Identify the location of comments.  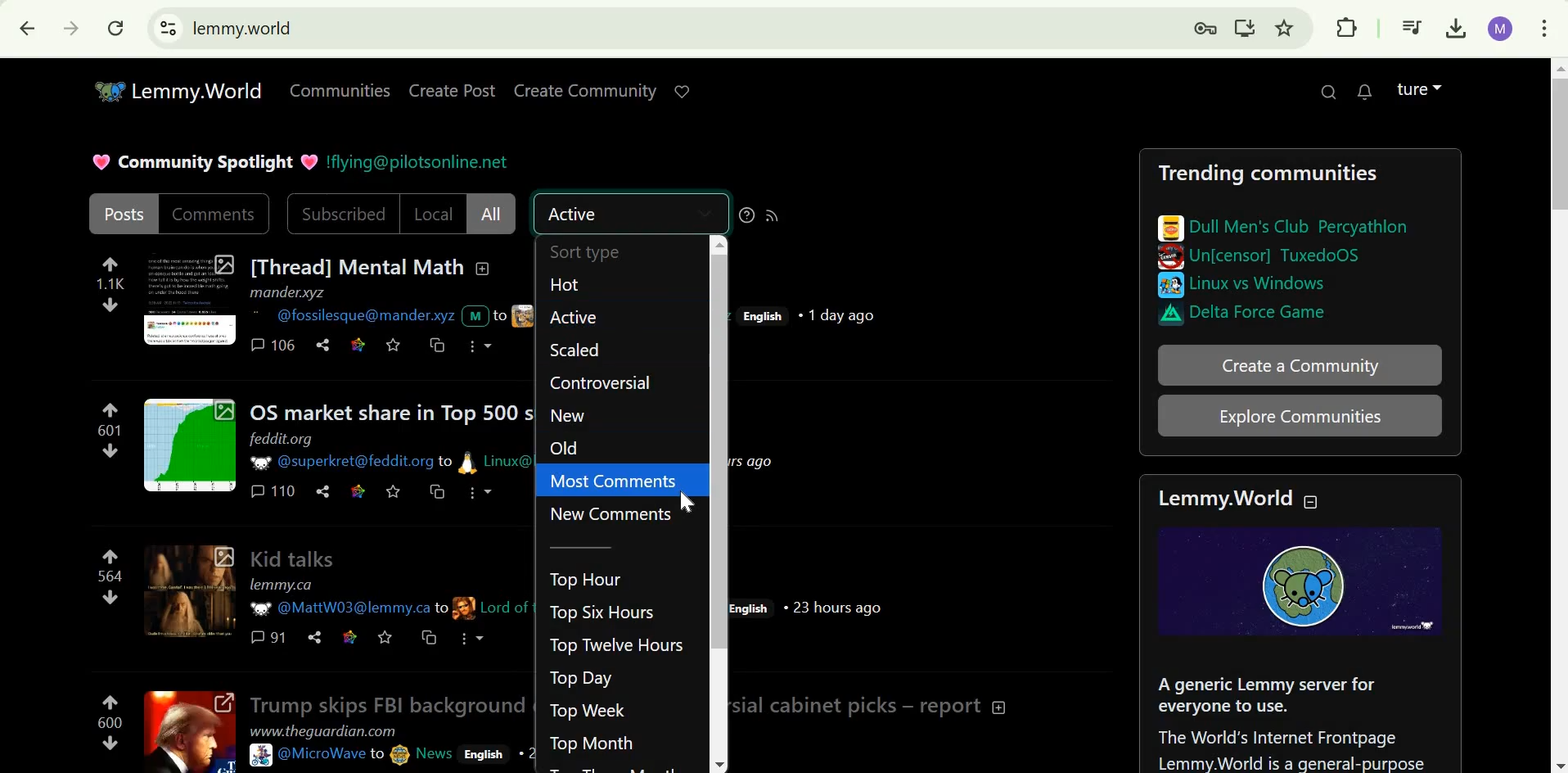
(267, 636).